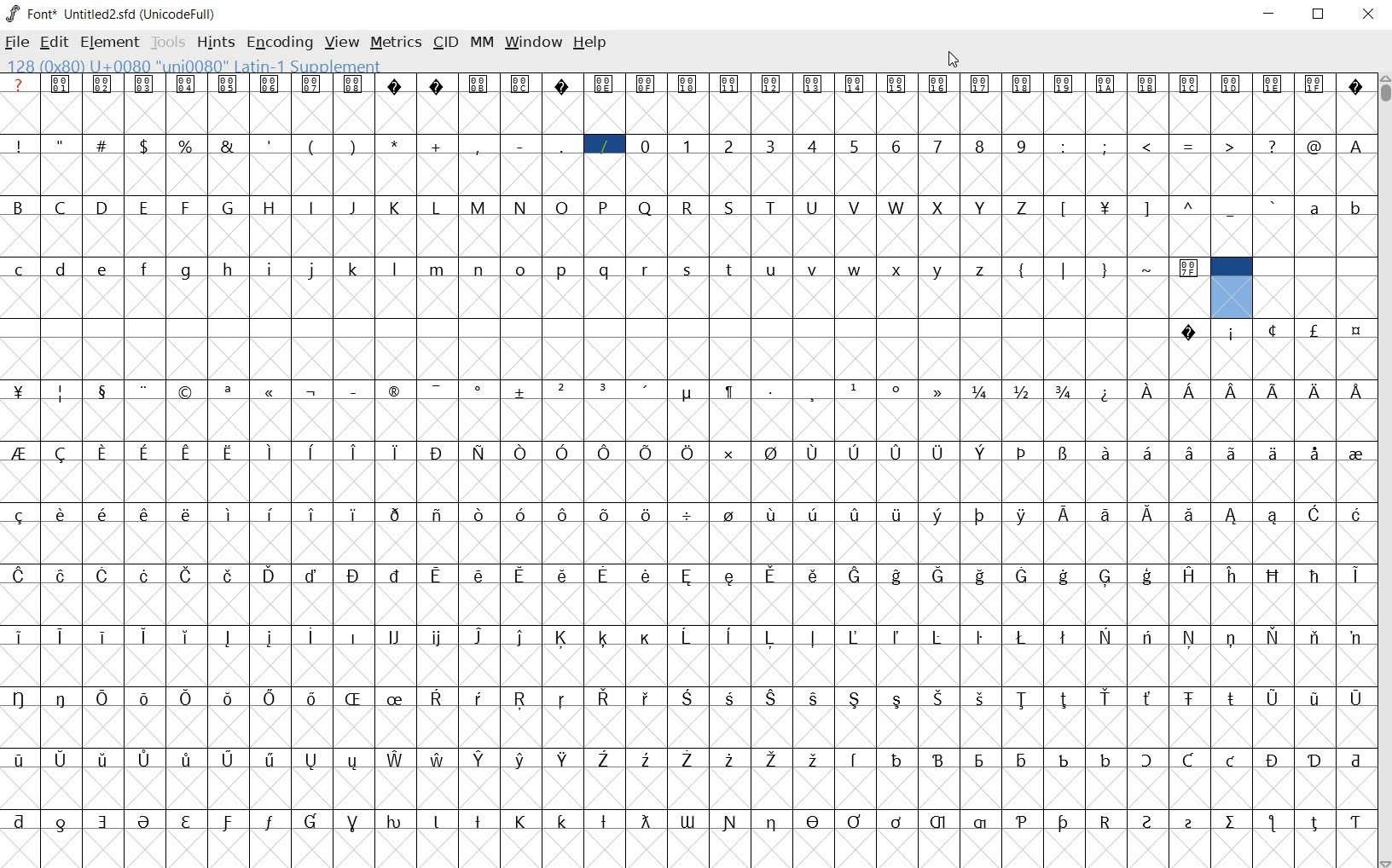 This screenshot has width=1392, height=868. Describe the element at coordinates (1383, 472) in the screenshot. I see `SCROLLBAR` at that location.